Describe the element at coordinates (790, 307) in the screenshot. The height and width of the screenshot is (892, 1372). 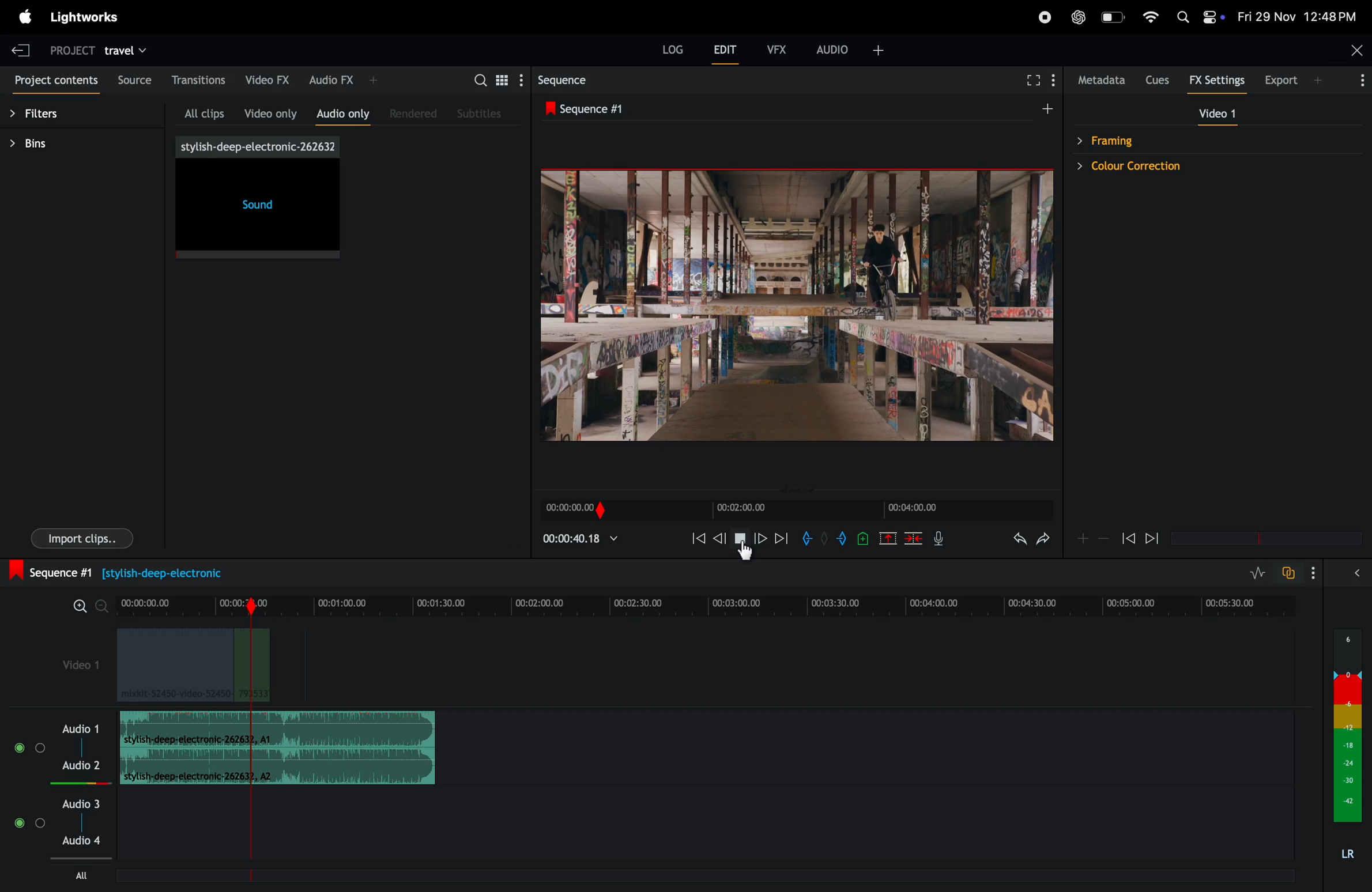
I see `play back screen` at that location.